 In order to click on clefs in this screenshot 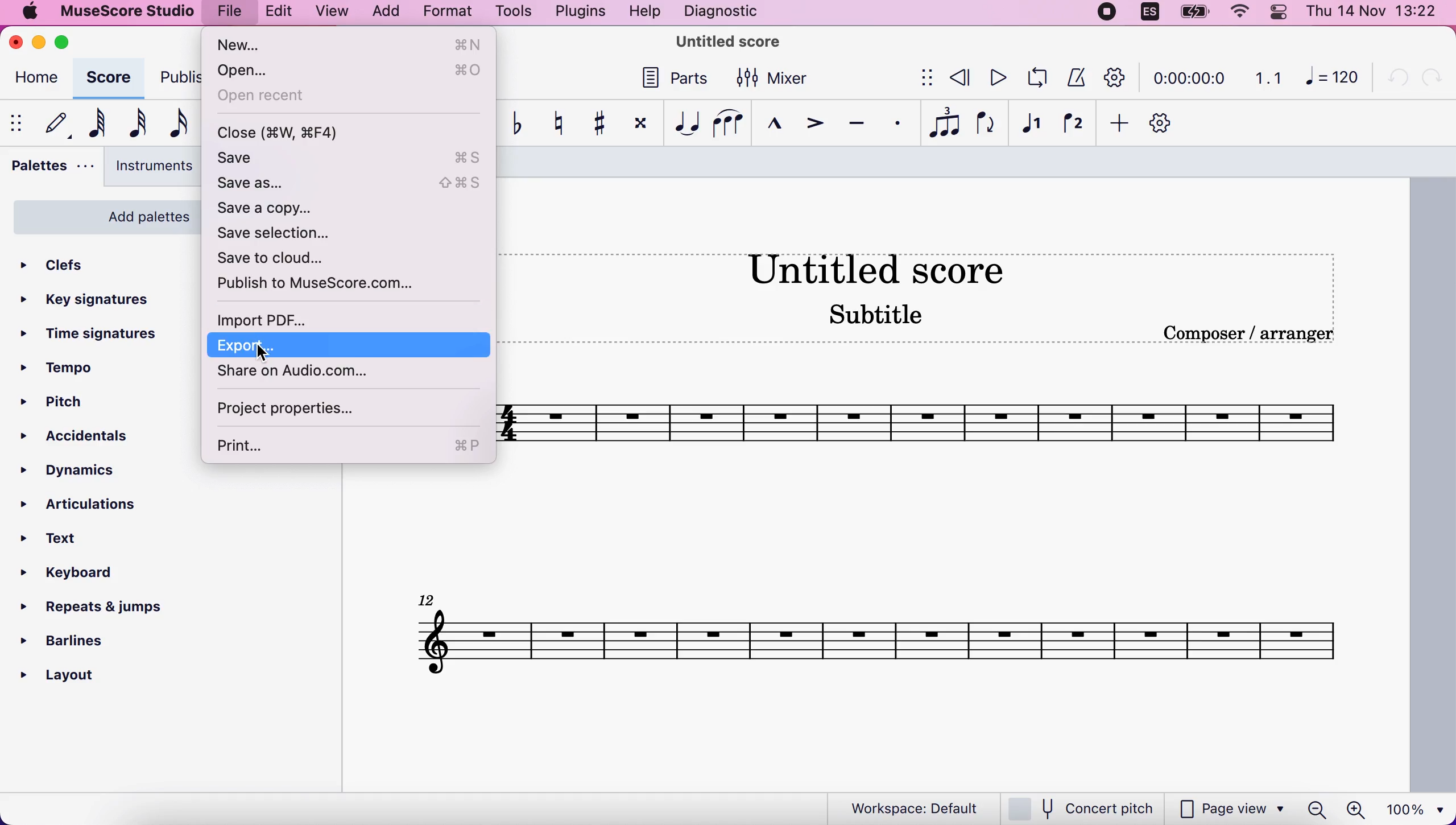, I will do `click(71, 265)`.